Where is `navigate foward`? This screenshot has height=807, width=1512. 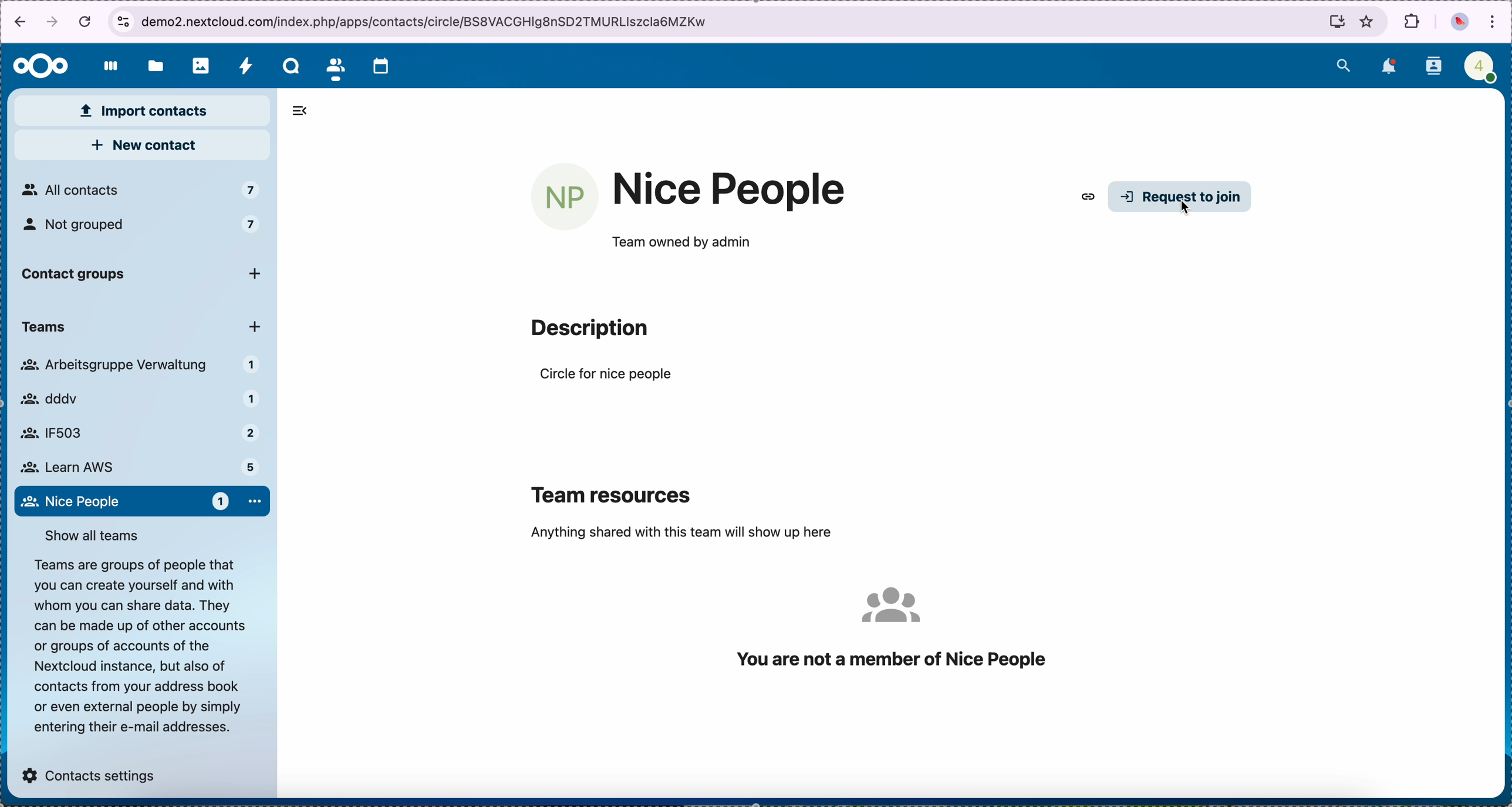
navigate foward is located at coordinates (55, 23).